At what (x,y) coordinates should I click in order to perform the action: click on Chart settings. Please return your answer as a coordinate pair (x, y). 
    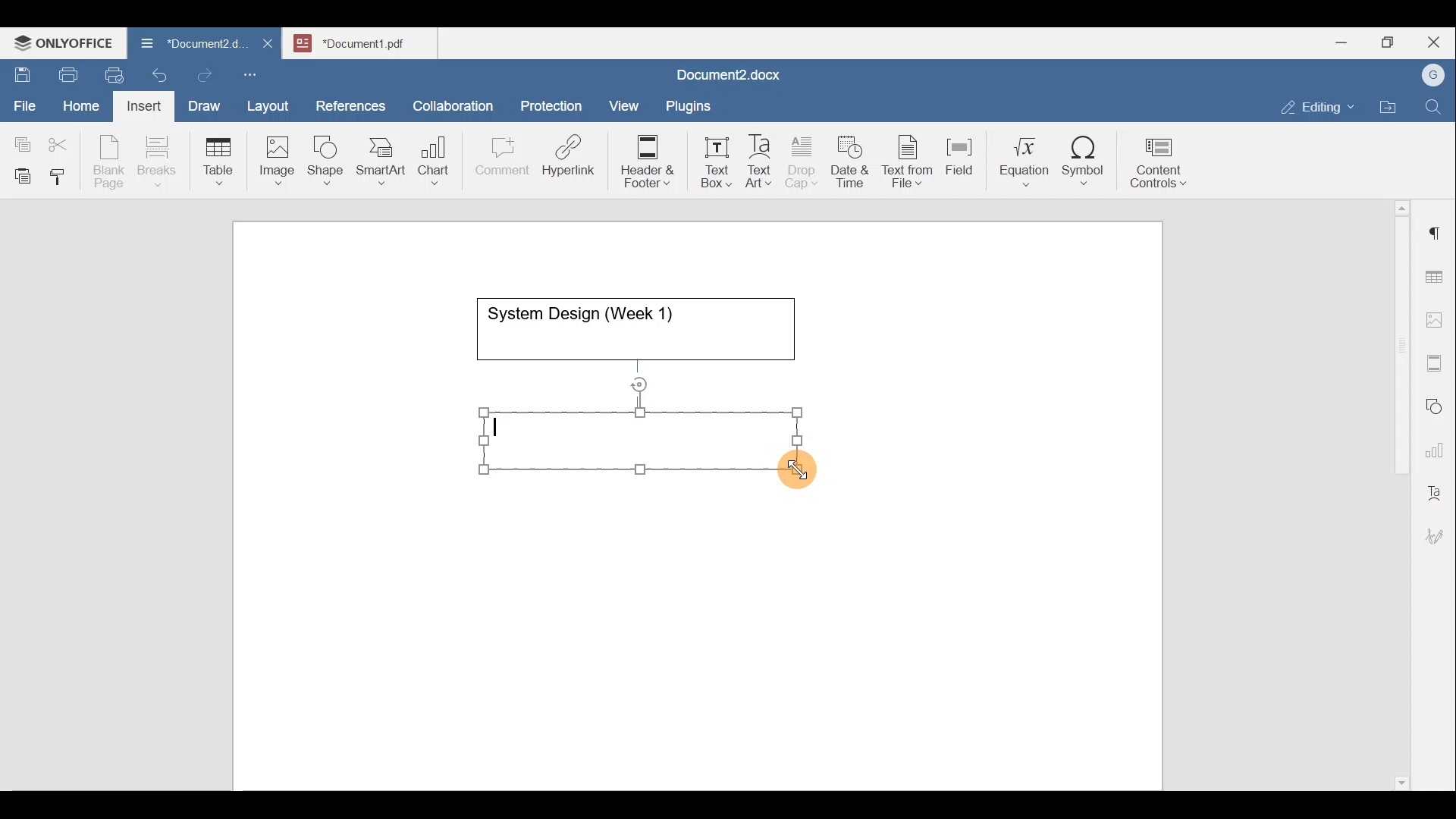
    Looking at the image, I should click on (1438, 444).